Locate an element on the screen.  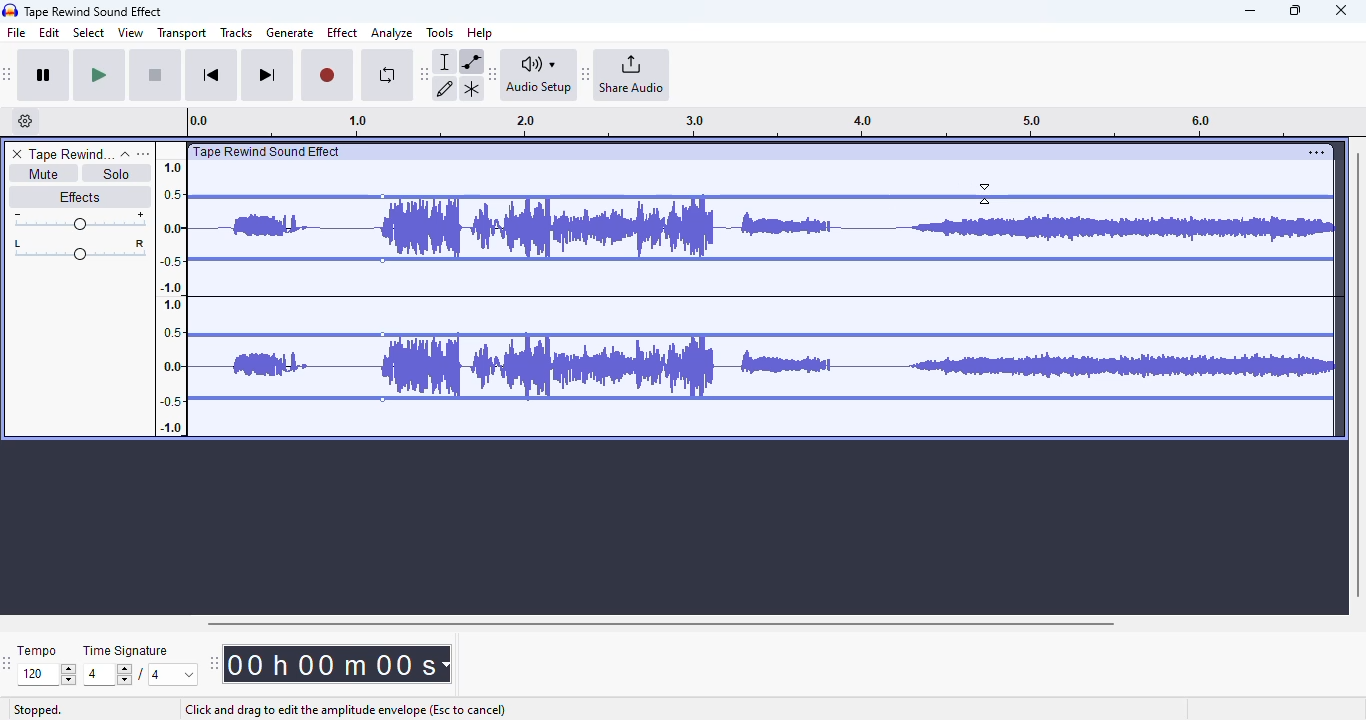
Input for time signature is located at coordinates (108, 675).